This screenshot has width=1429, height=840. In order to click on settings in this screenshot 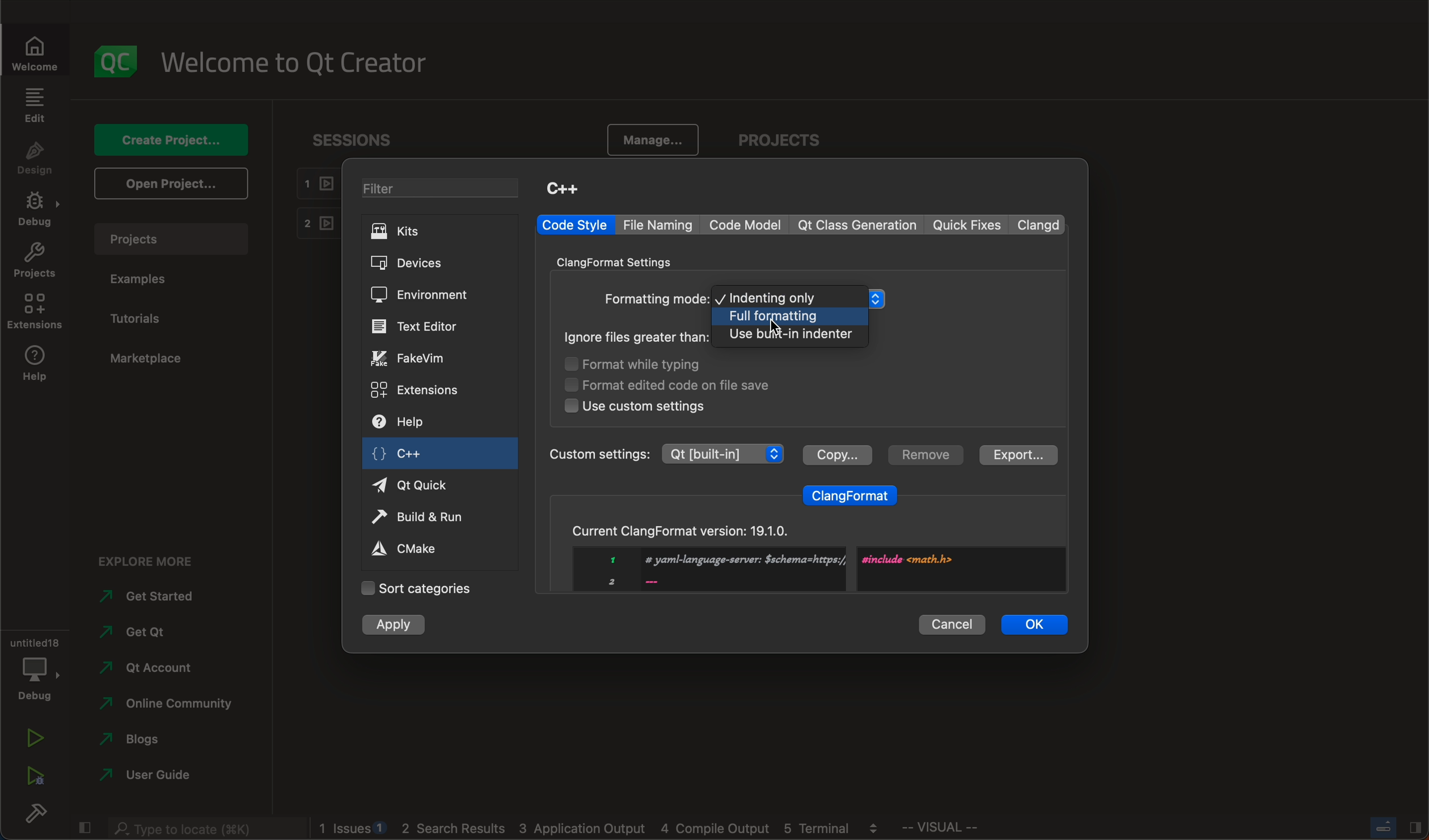, I will do `click(623, 261)`.